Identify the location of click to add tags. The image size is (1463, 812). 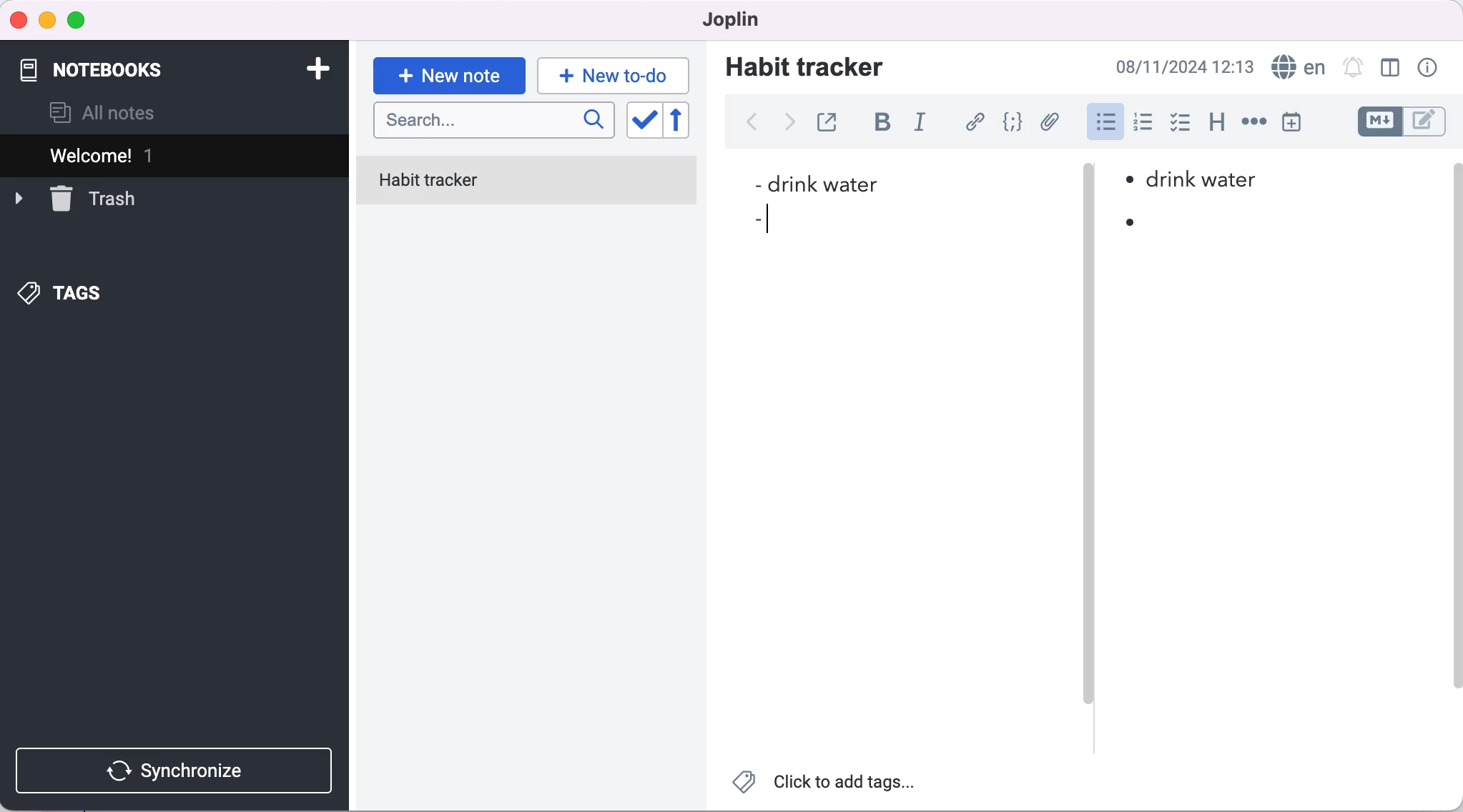
(826, 786).